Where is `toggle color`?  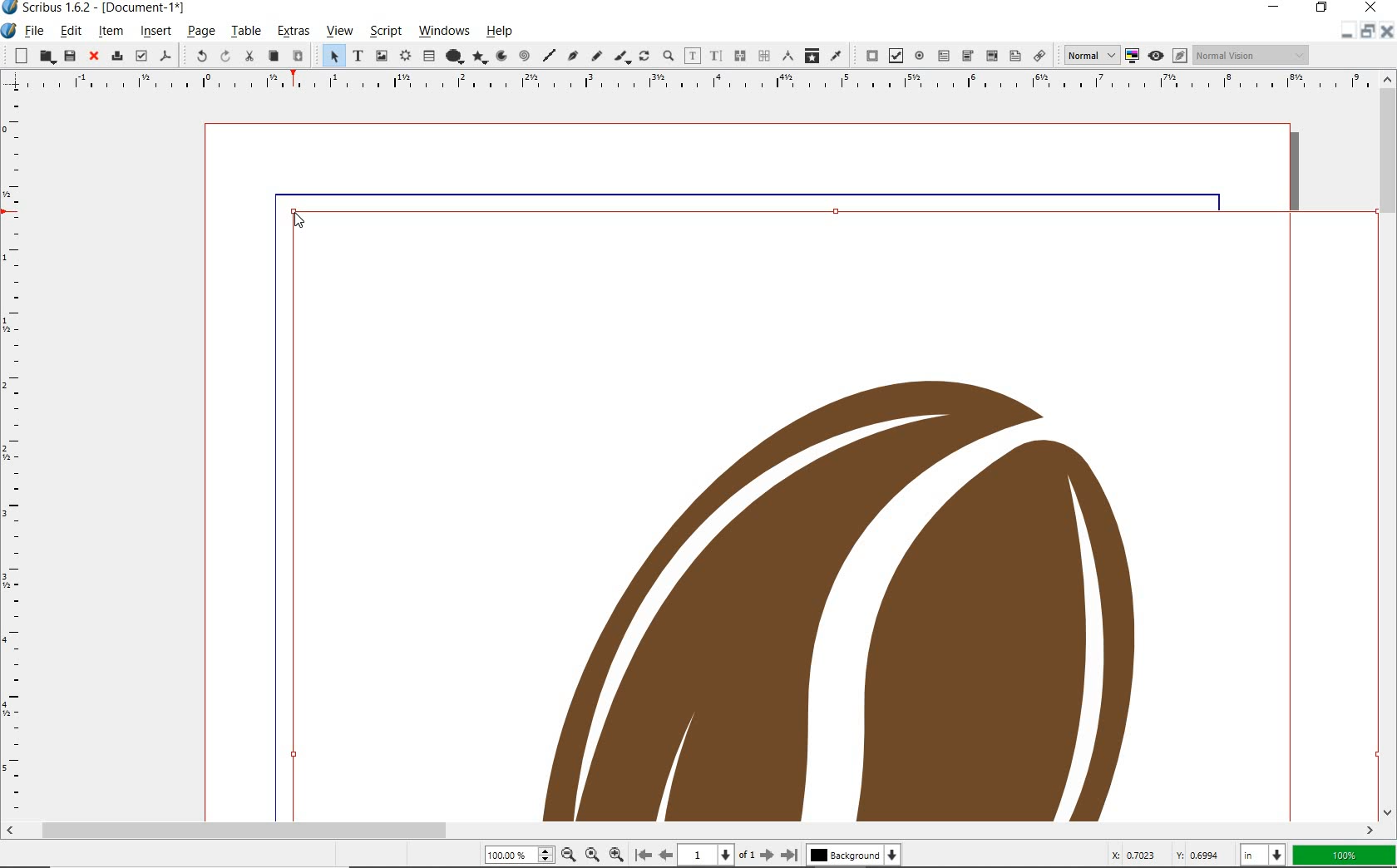 toggle color is located at coordinates (1133, 55).